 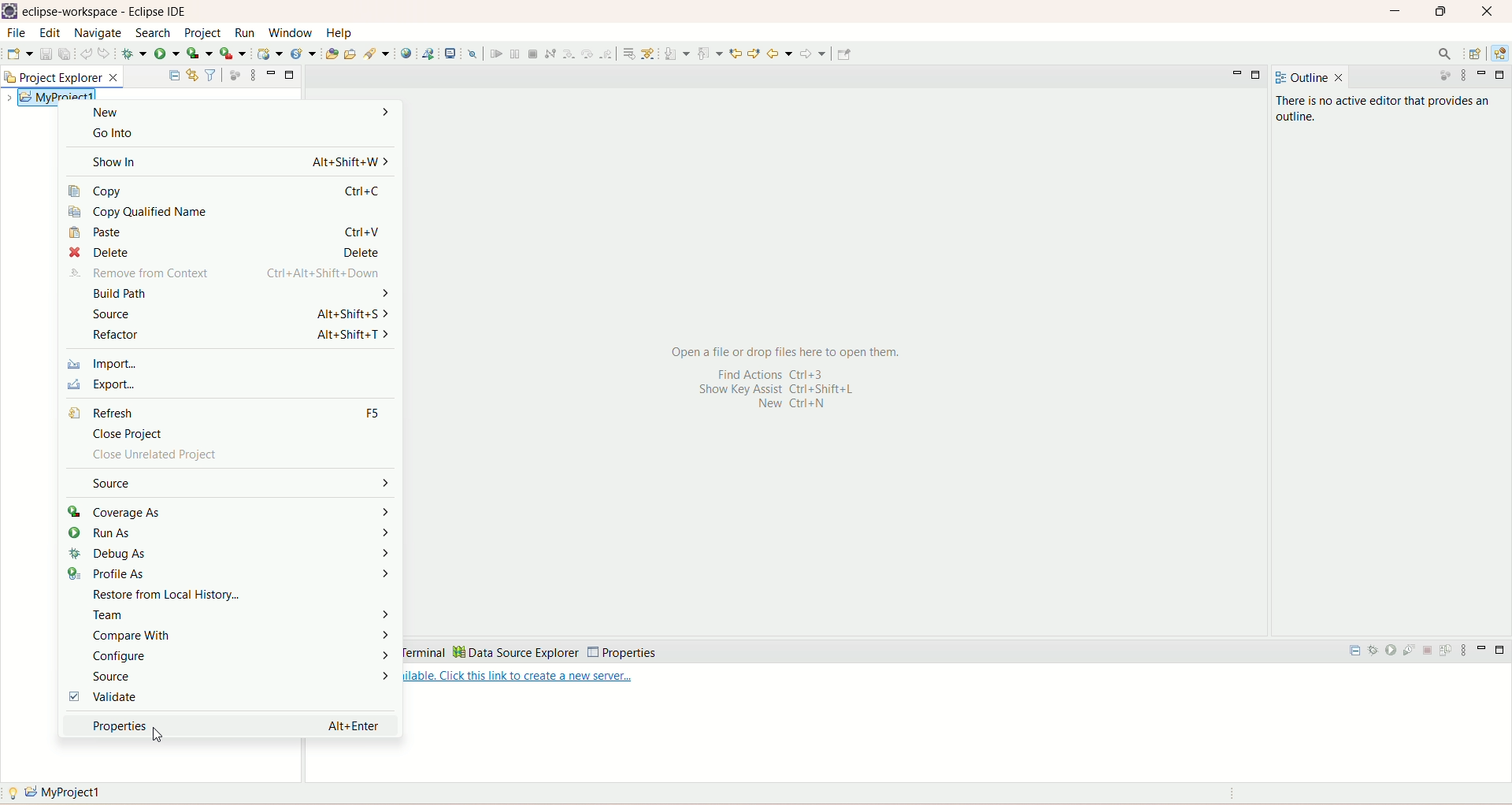 I want to click on navigate, so click(x=98, y=34).